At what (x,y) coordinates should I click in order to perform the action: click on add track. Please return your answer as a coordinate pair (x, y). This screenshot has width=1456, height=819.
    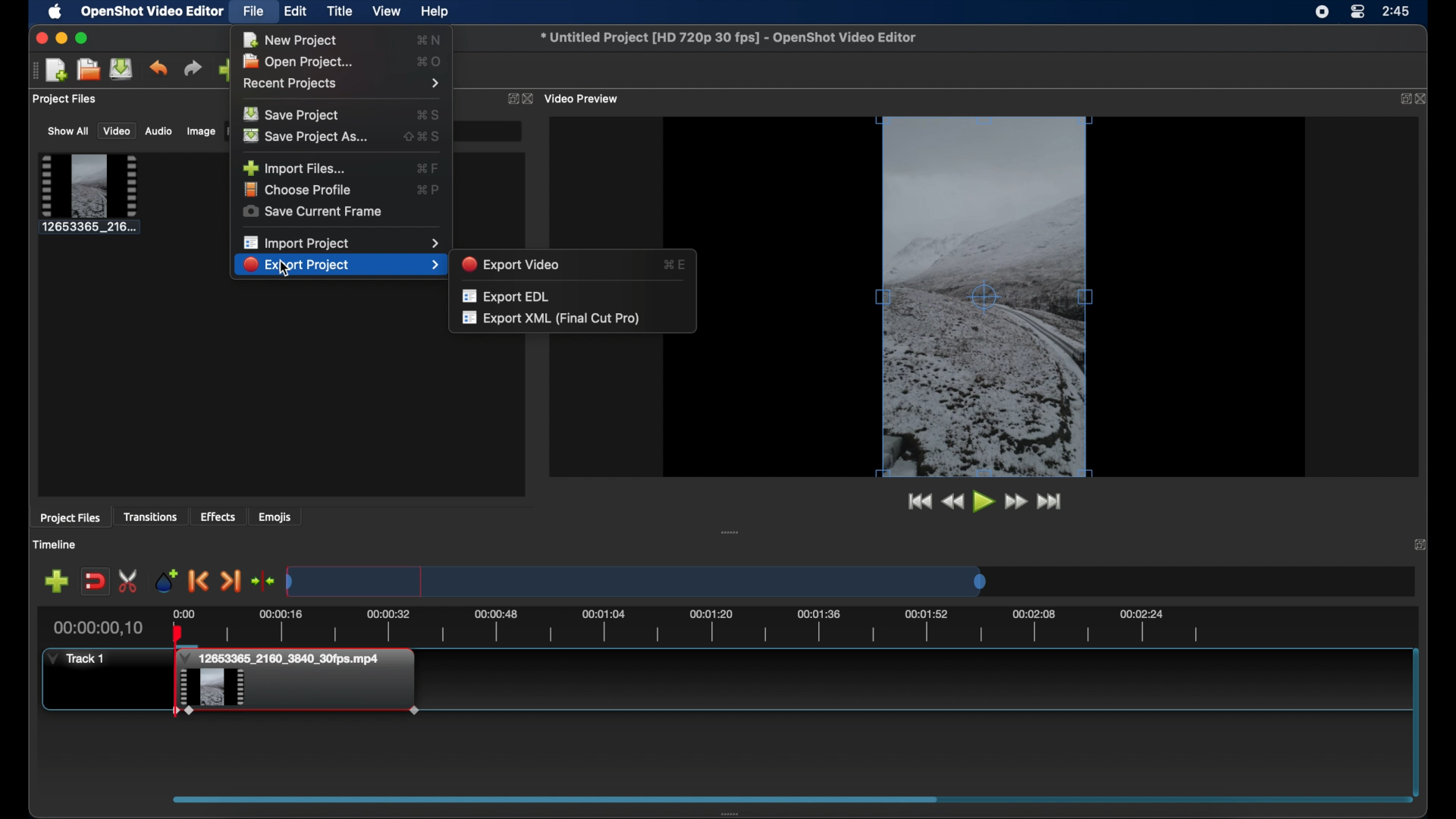
    Looking at the image, I should click on (56, 582).